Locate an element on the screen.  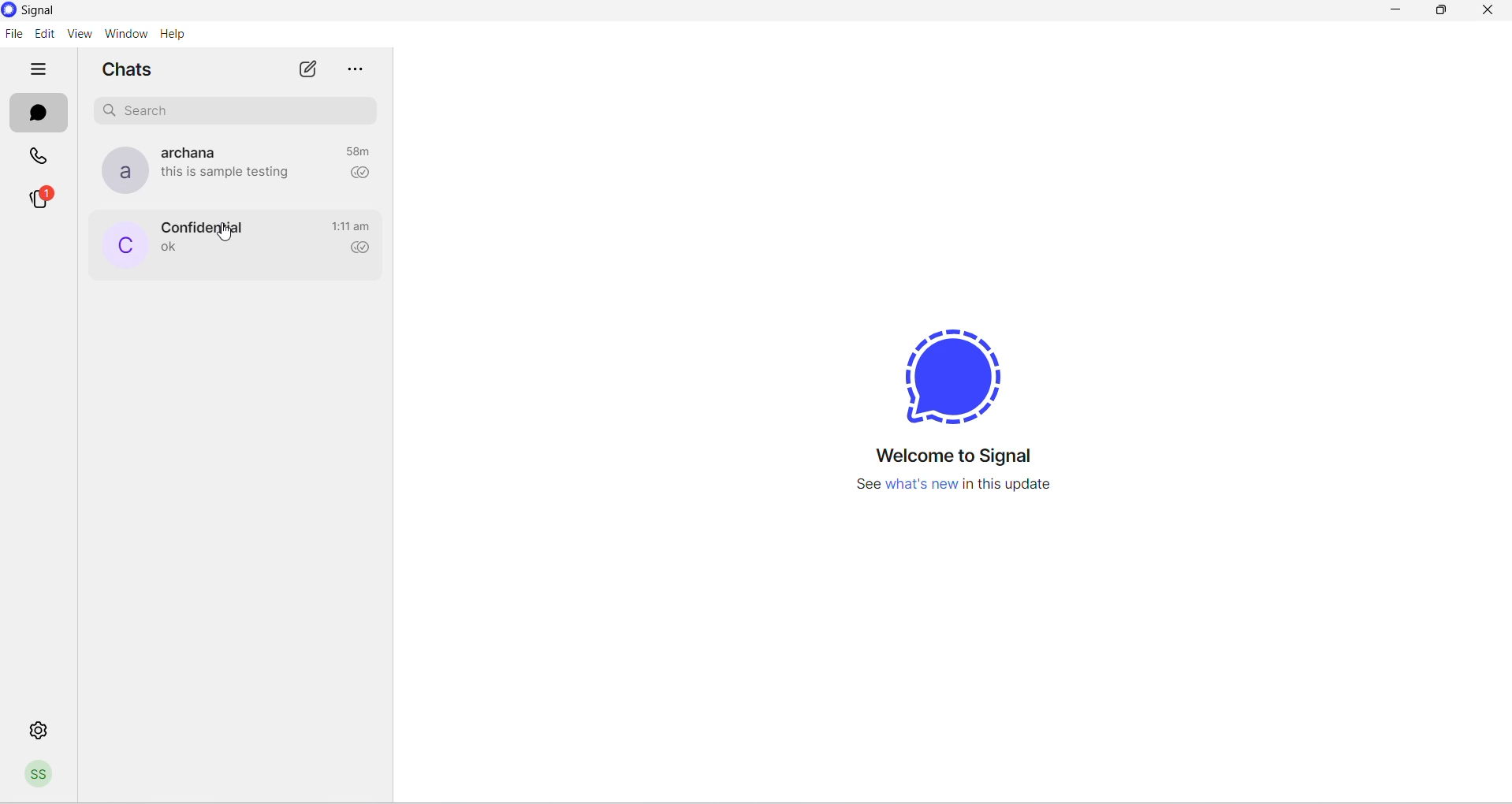
read recipient is located at coordinates (357, 174).